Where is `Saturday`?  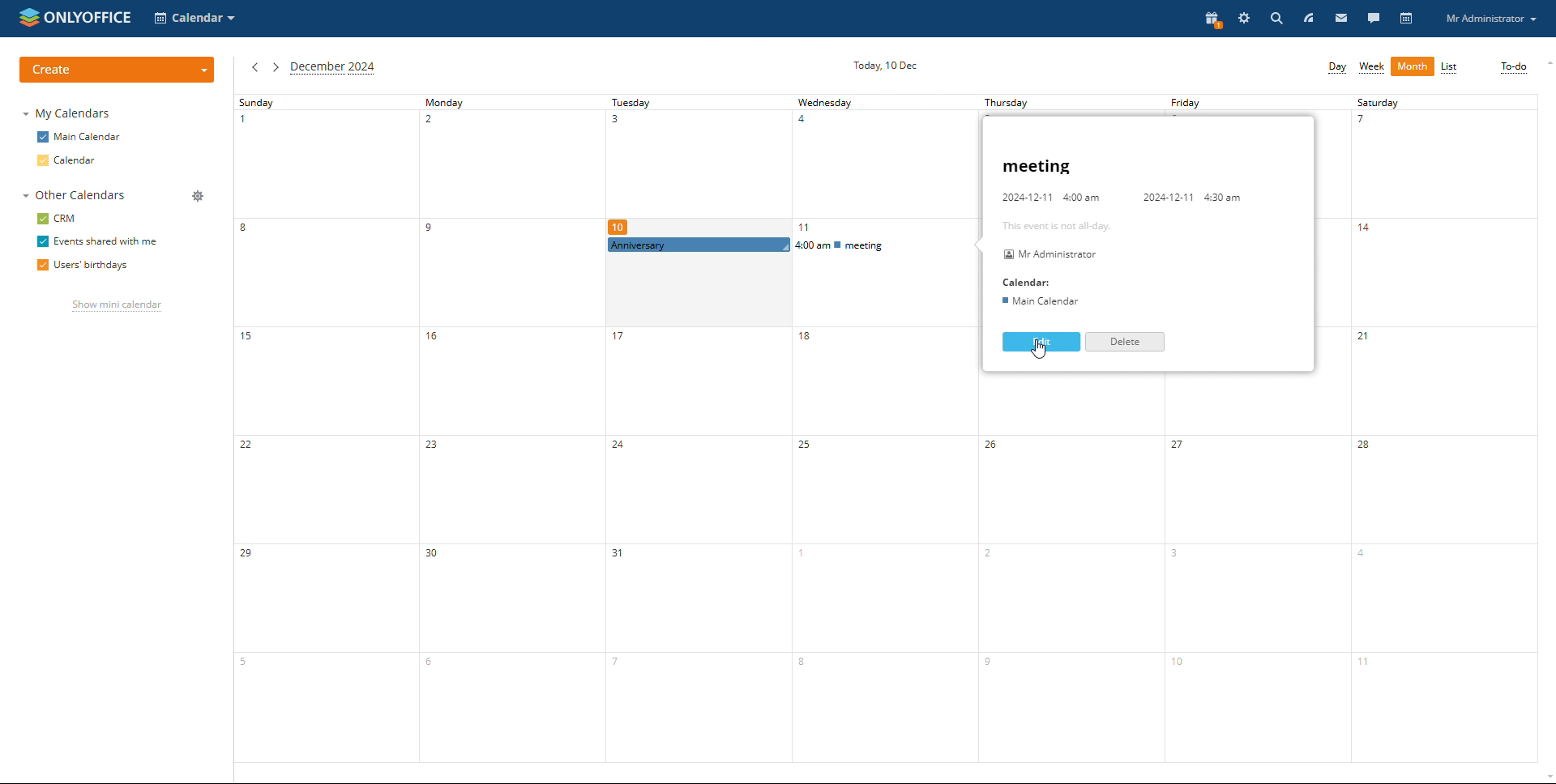
Saturday is located at coordinates (1444, 428).